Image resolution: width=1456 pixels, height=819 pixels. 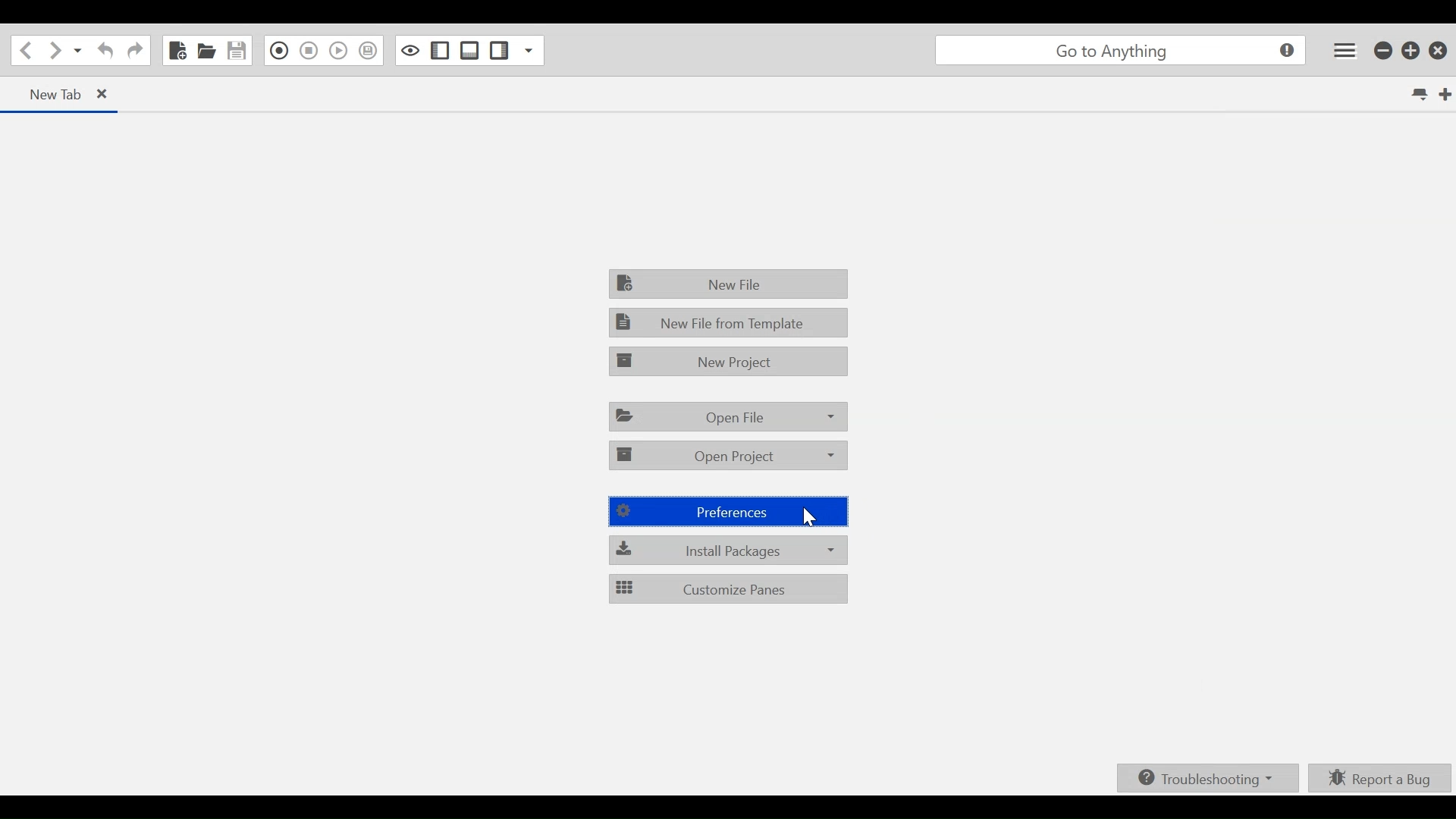 I want to click on List of tabs, so click(x=1417, y=95).